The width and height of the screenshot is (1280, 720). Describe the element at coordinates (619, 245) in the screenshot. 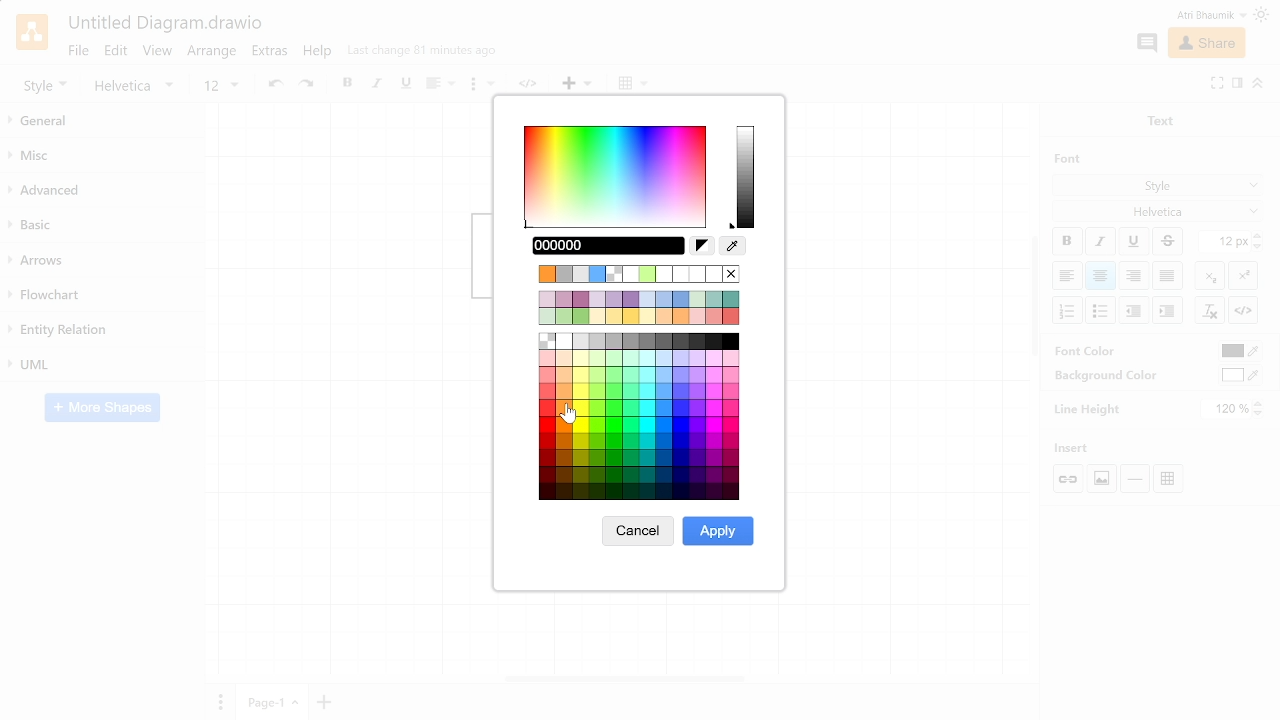

I see `Current color` at that location.